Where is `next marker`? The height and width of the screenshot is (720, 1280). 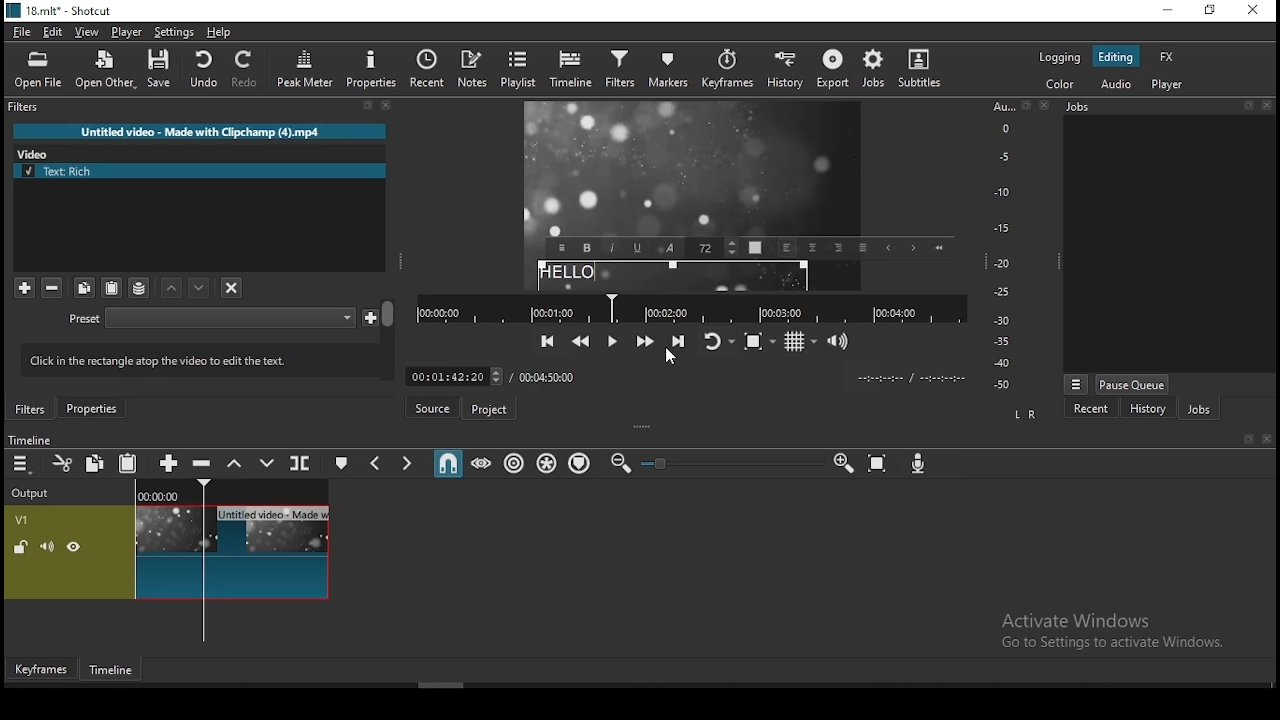
next marker is located at coordinates (407, 461).